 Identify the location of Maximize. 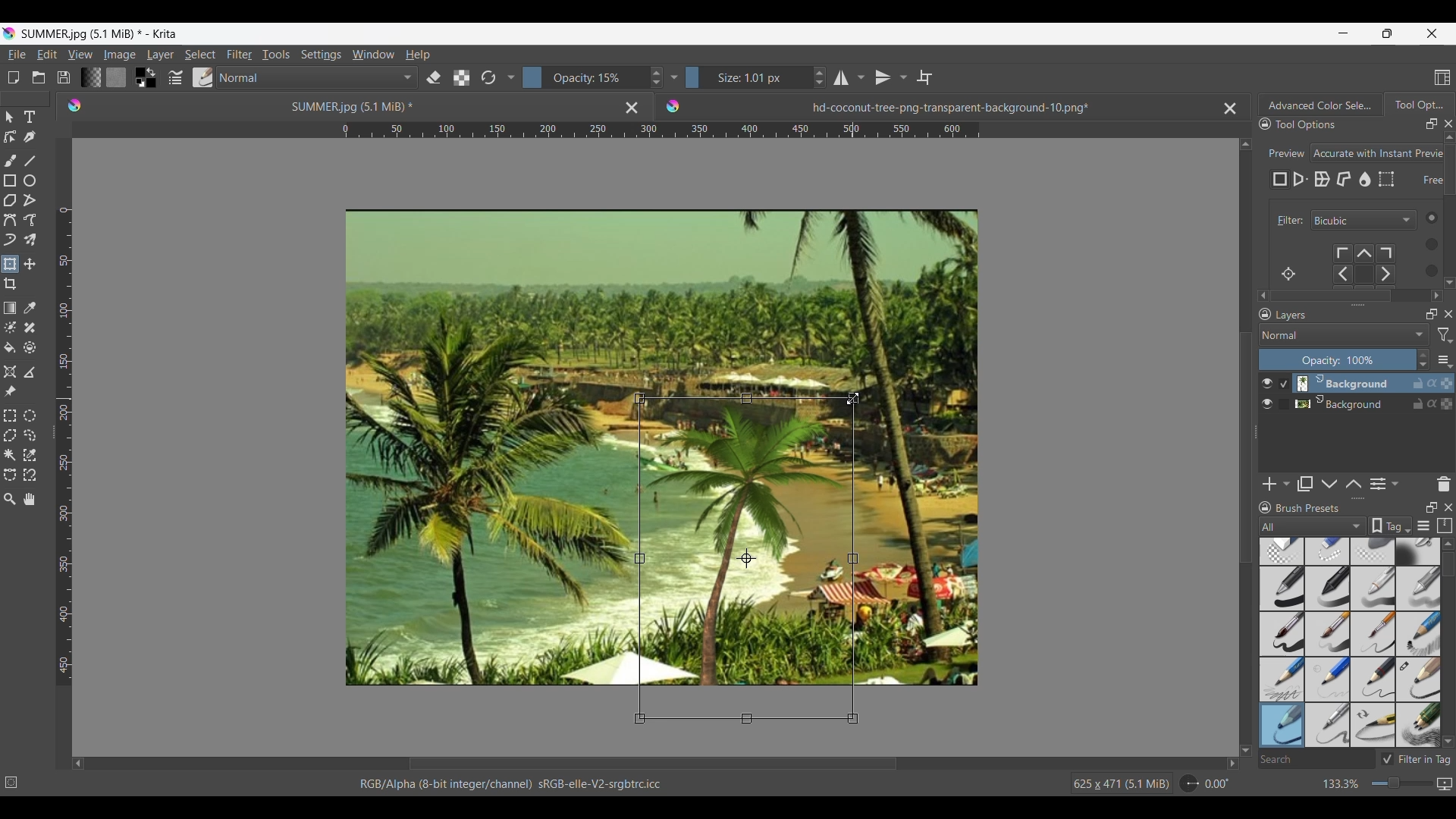
(1447, 380).